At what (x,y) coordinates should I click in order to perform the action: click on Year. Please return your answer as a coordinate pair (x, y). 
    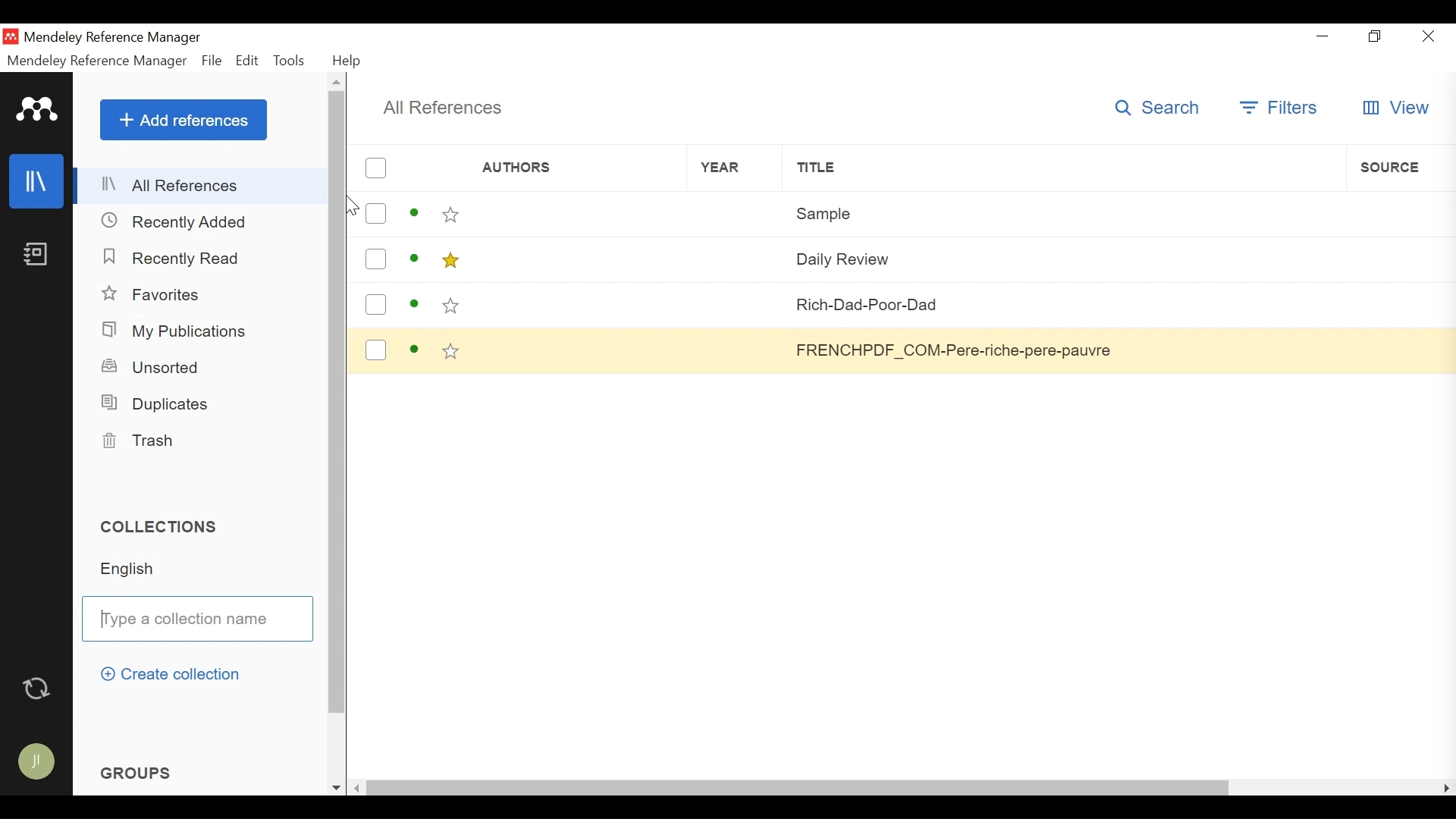
    Looking at the image, I should click on (735, 168).